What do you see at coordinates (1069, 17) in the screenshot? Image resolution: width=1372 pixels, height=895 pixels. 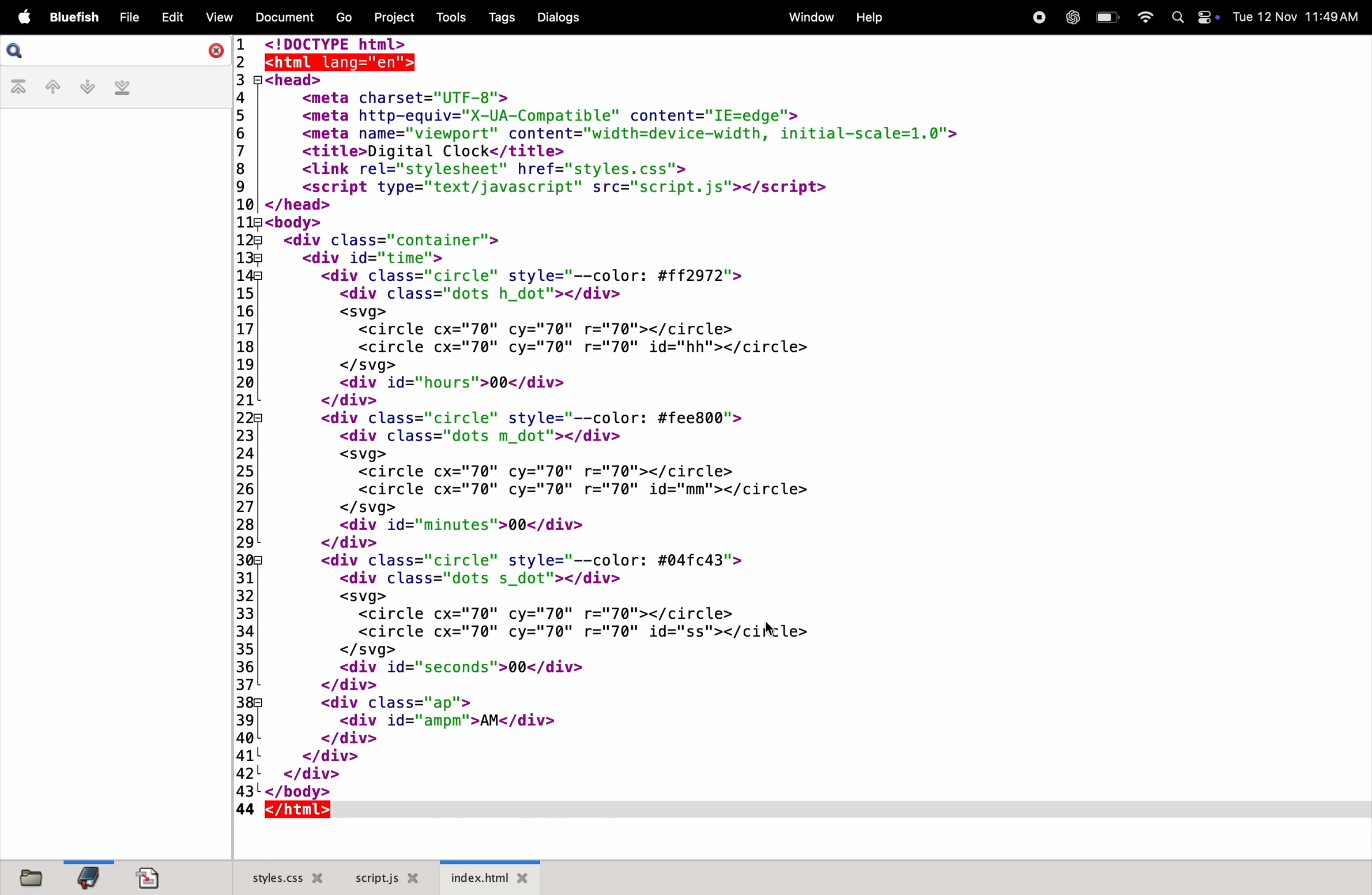 I see `chatgpt` at bounding box center [1069, 17].